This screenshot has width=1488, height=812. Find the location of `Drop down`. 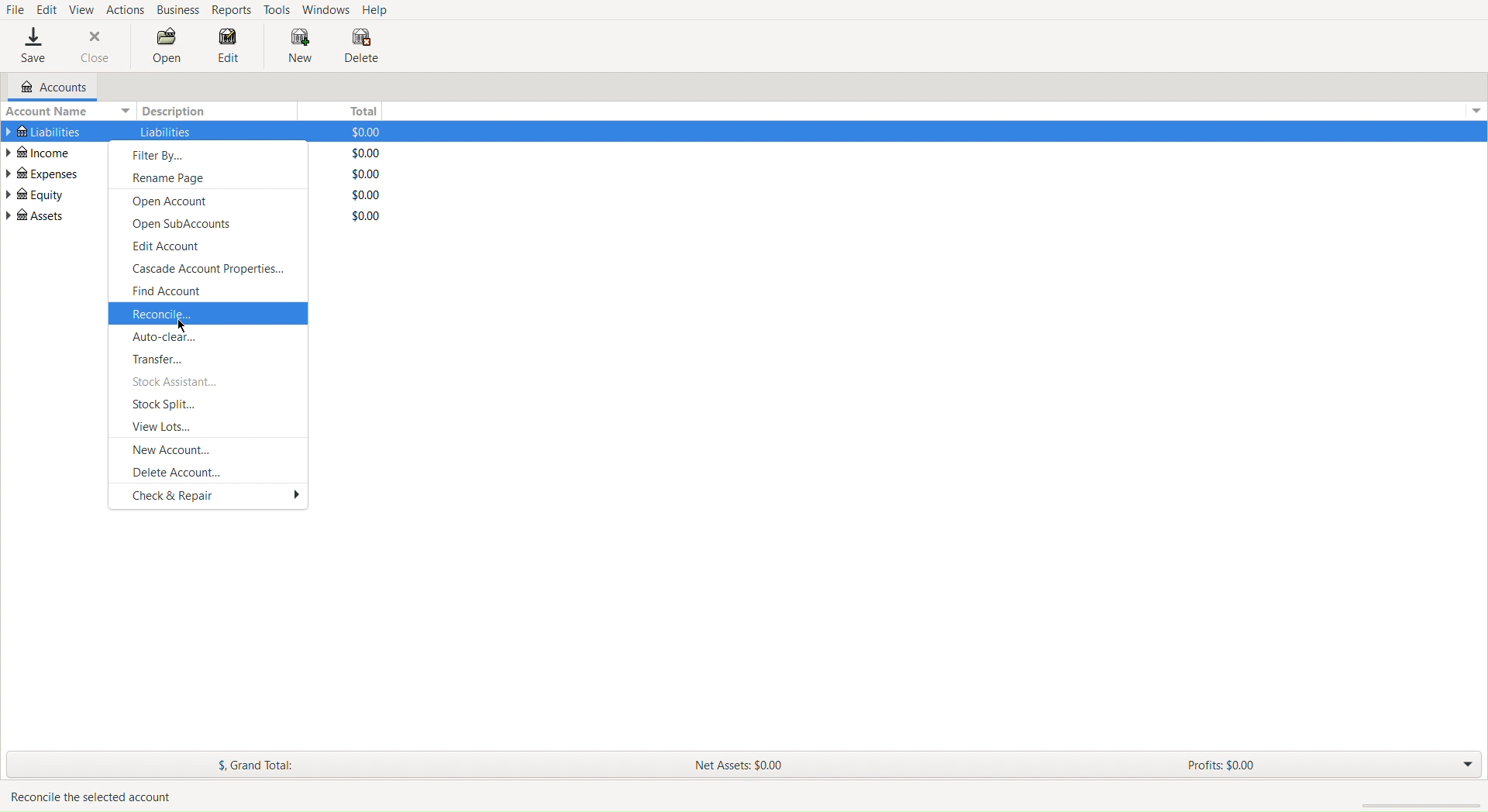

Drop down is located at coordinates (1465, 766).